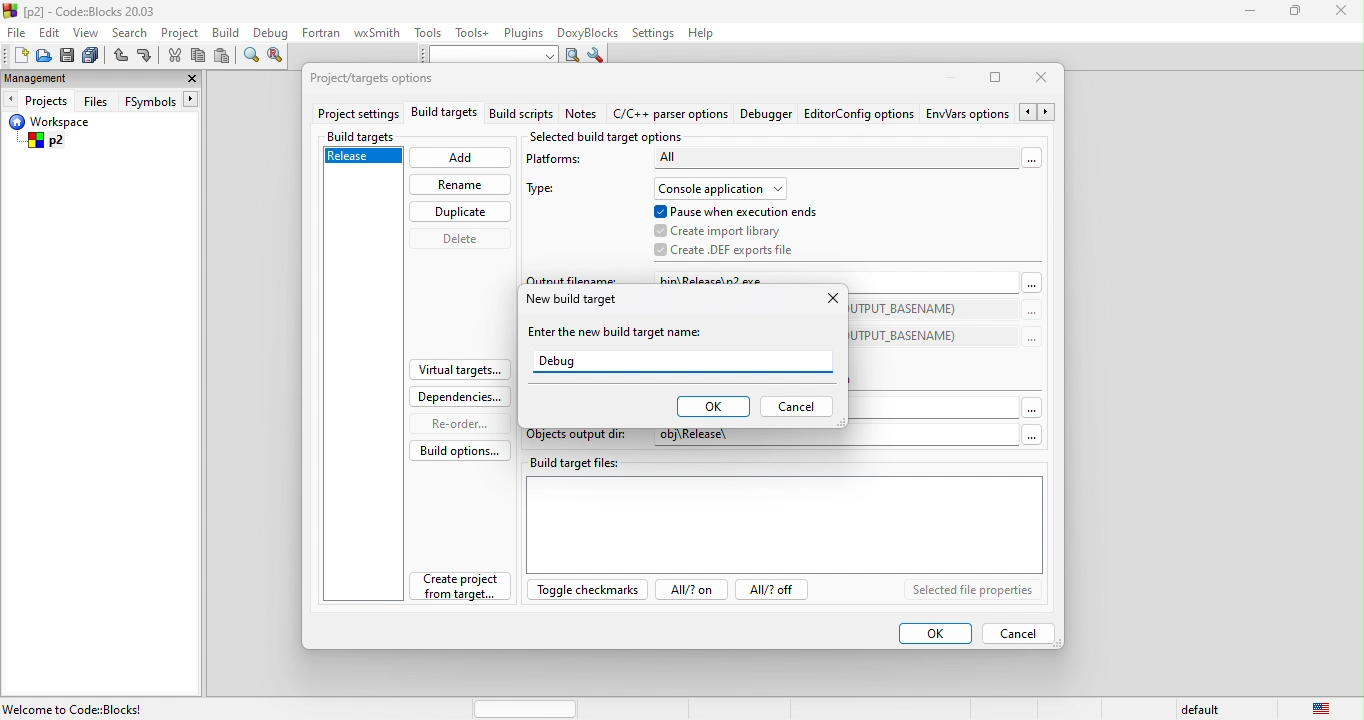 The height and width of the screenshot is (720, 1364). I want to click on create .def exports file, so click(735, 251).